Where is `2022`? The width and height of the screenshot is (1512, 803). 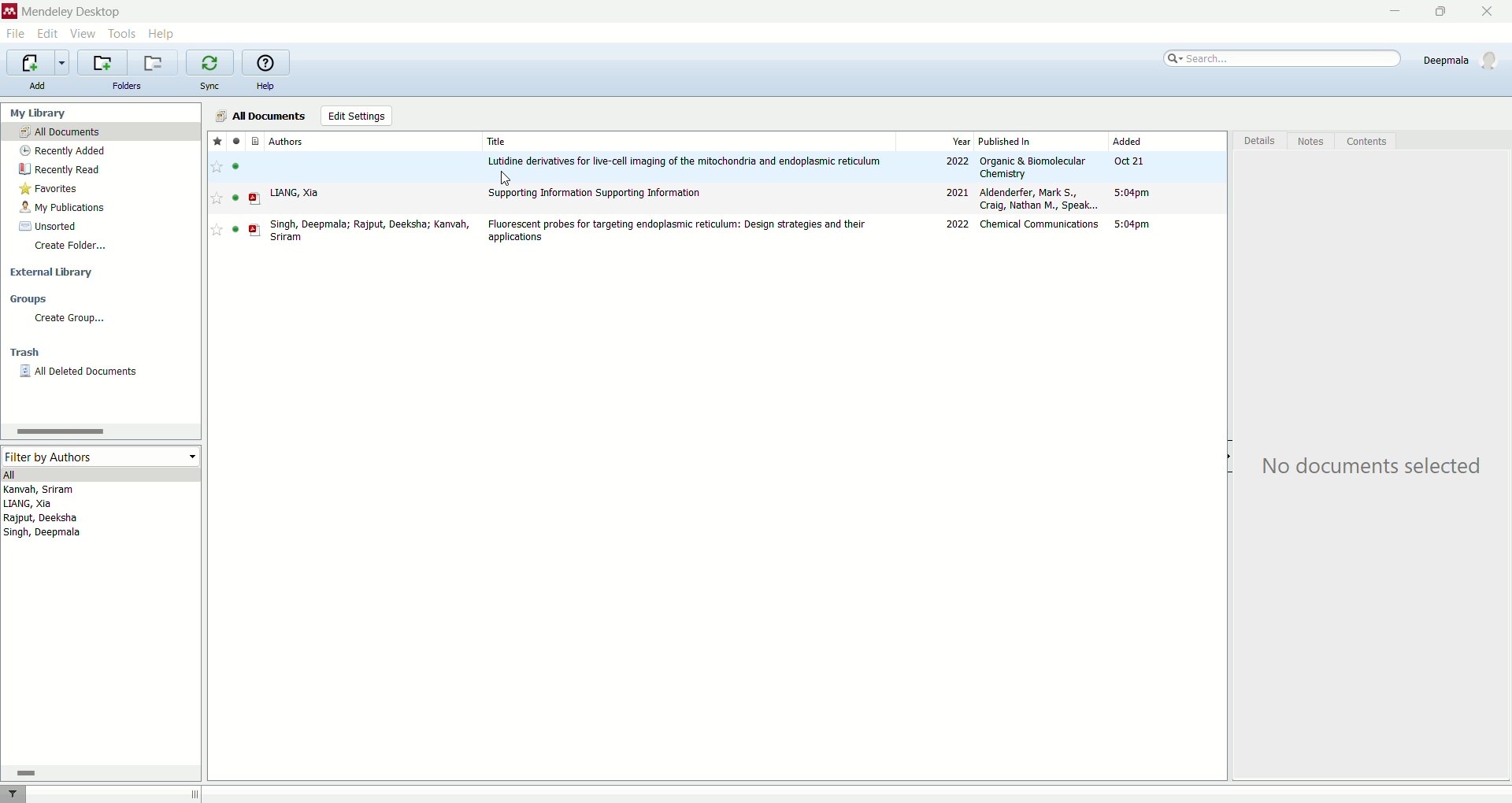
2022 is located at coordinates (956, 161).